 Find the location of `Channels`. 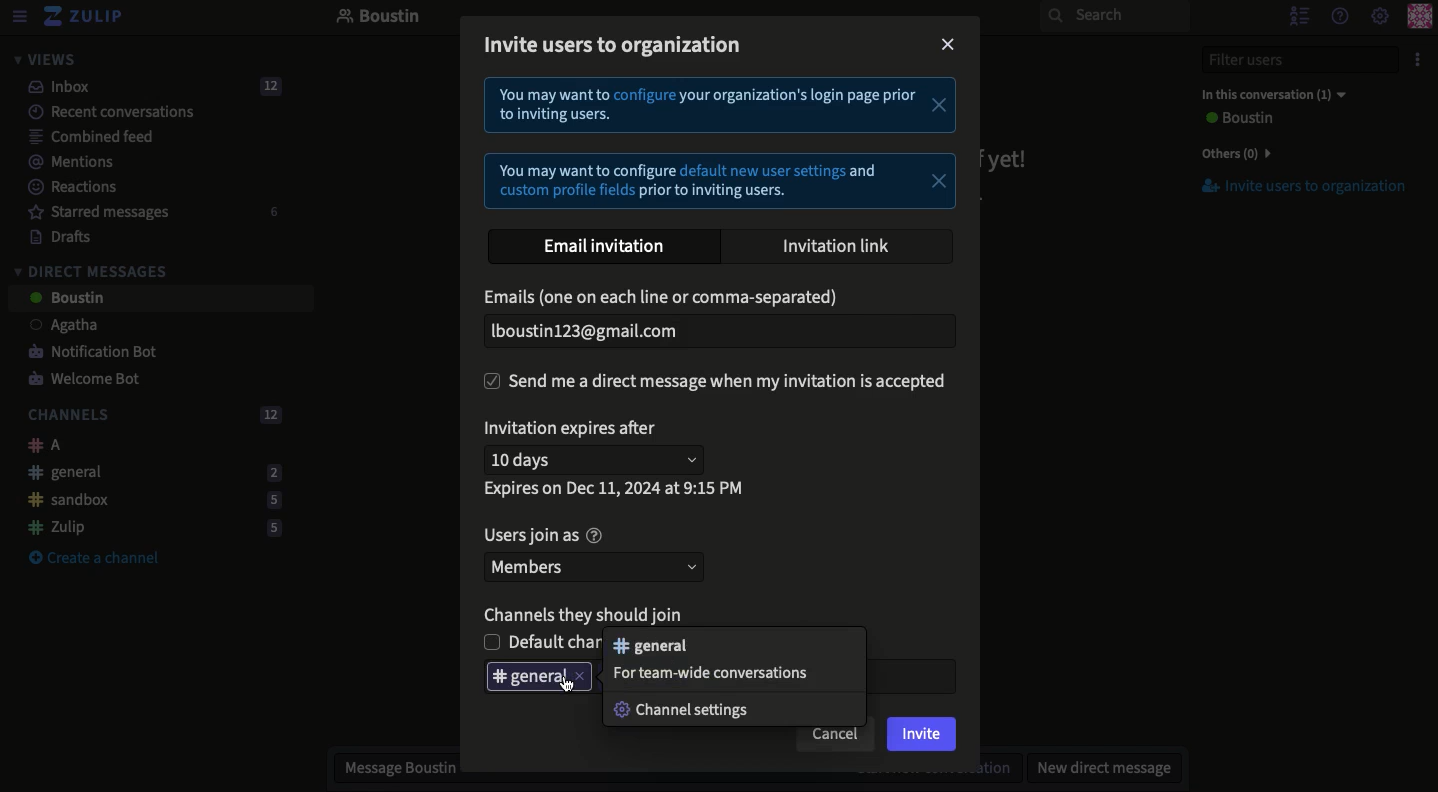

Channels is located at coordinates (150, 416).